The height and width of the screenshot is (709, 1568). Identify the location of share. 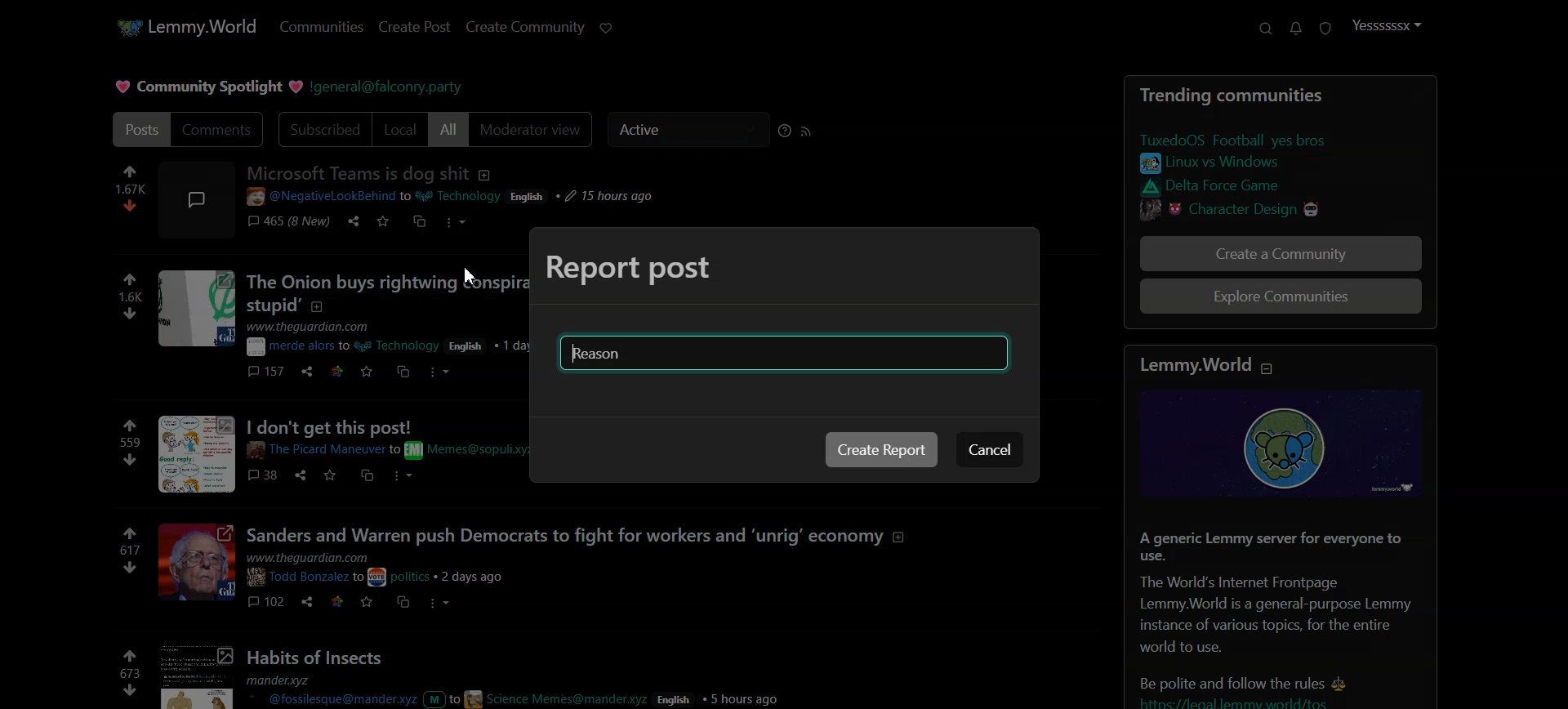
(299, 475).